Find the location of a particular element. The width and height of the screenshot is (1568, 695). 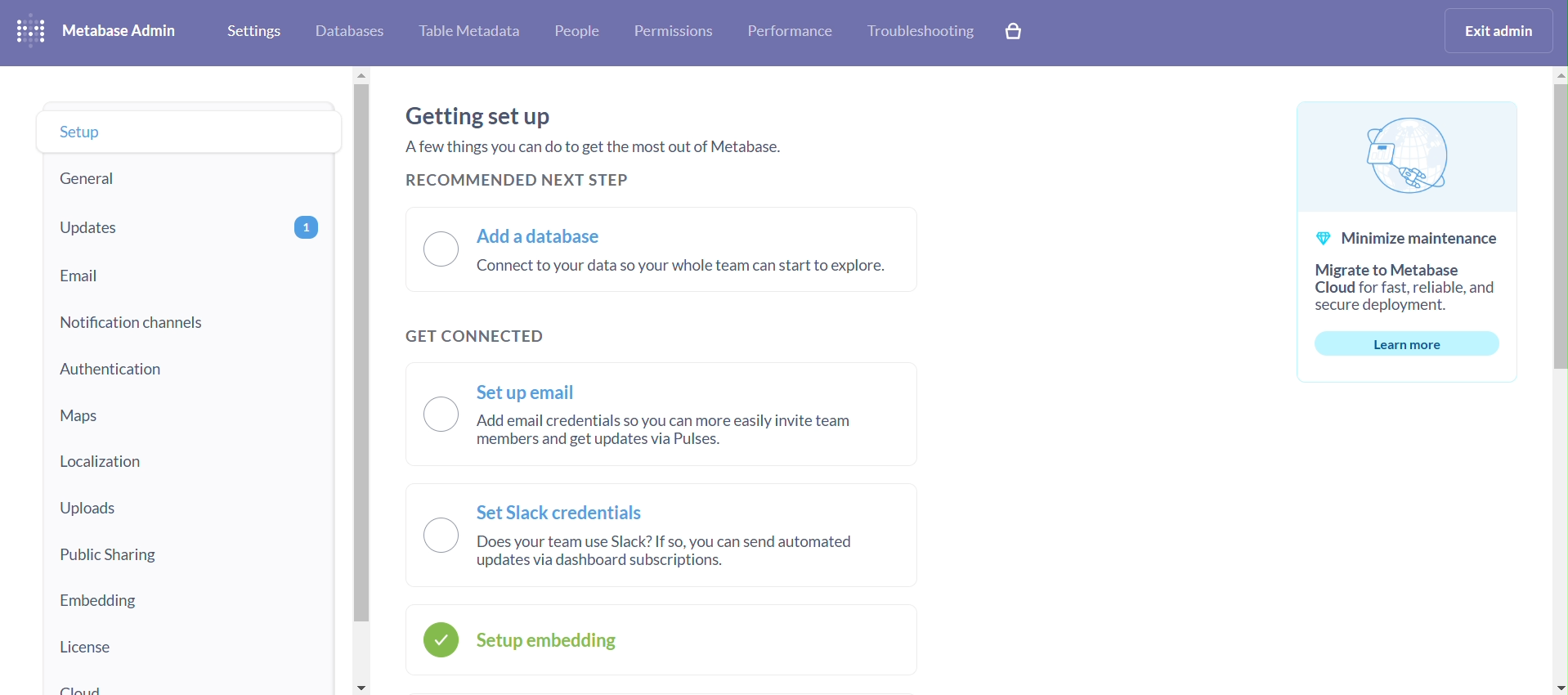

exit admin is located at coordinates (1495, 31).